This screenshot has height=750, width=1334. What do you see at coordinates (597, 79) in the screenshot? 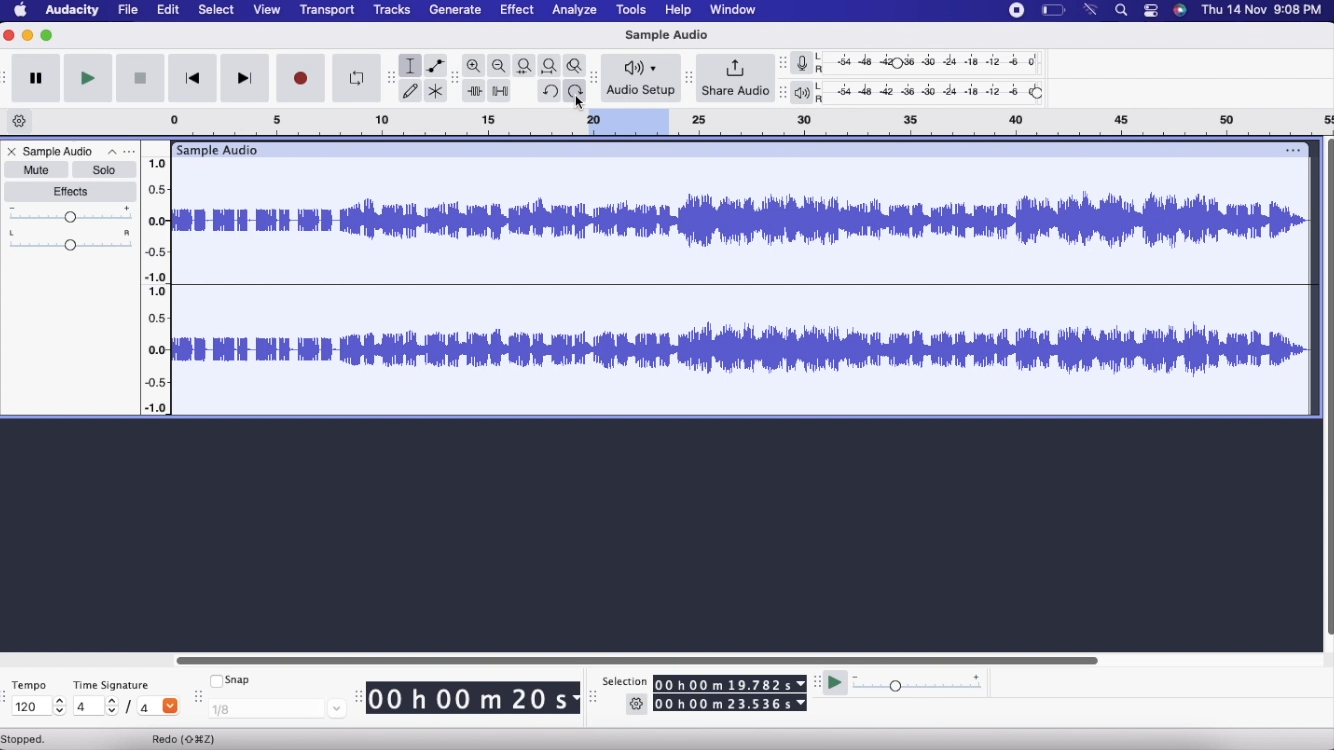
I see `move toolbar` at bounding box center [597, 79].